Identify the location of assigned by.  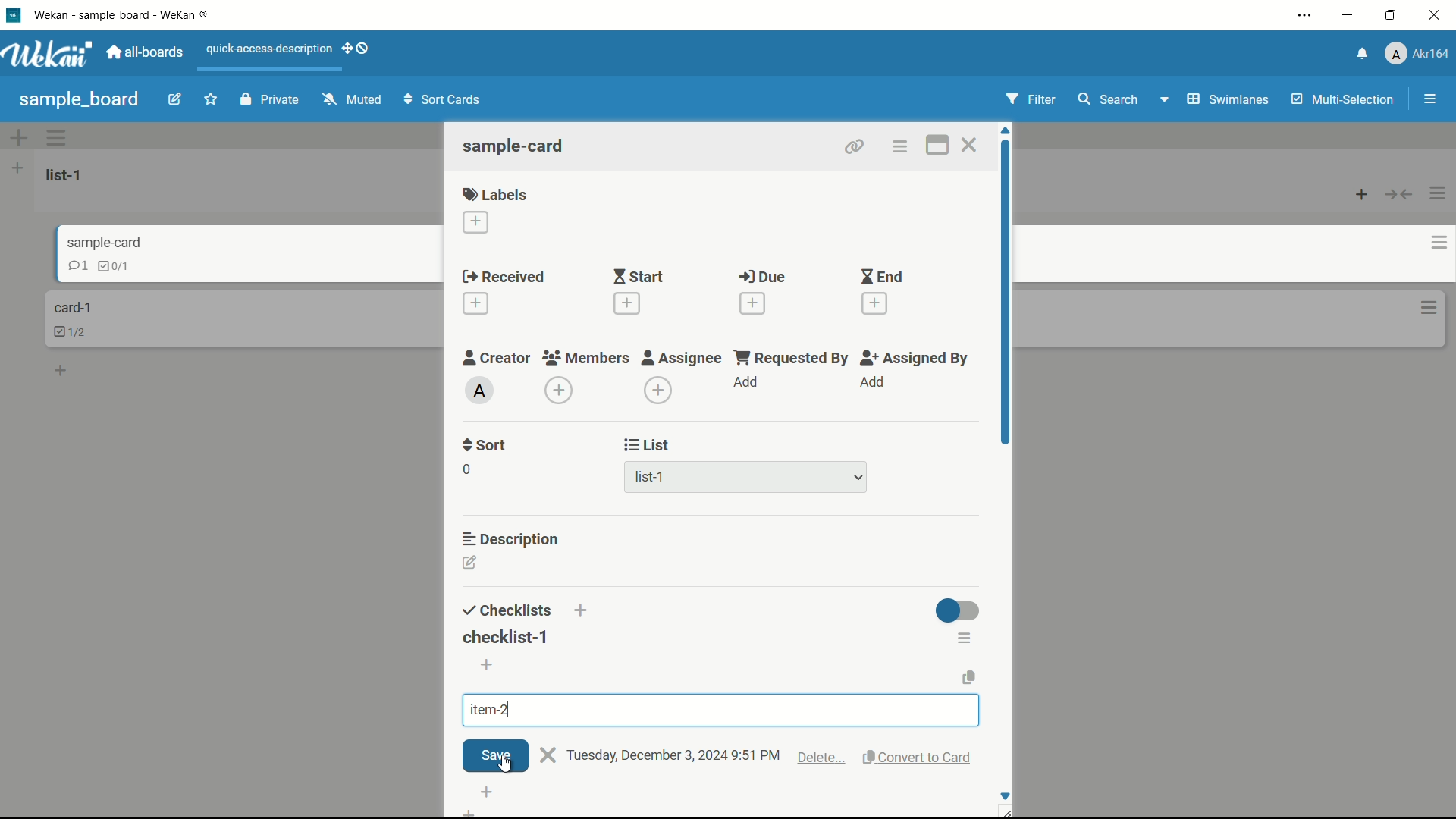
(917, 358).